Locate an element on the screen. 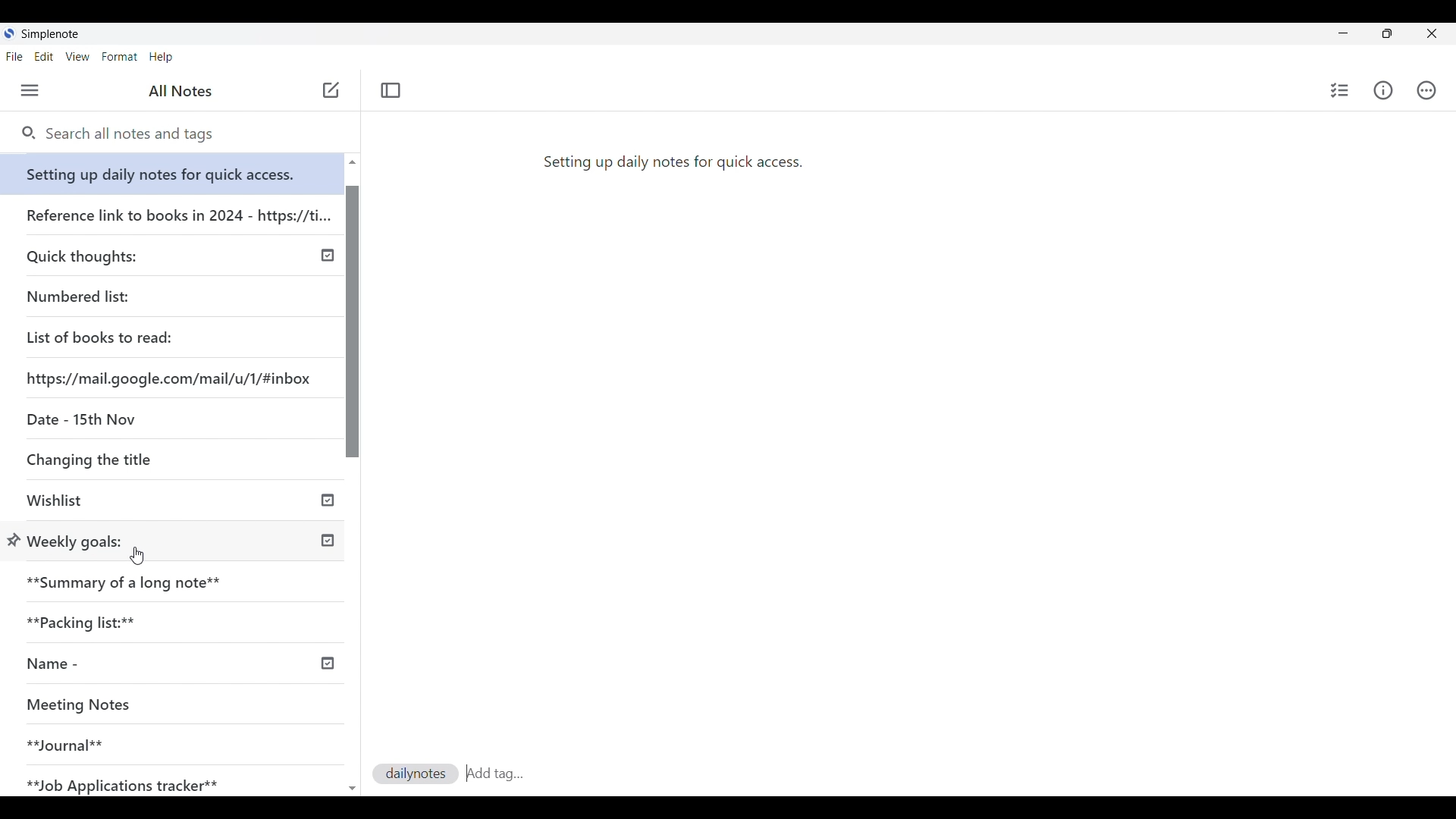  Meeting Notes is located at coordinates (153, 706).